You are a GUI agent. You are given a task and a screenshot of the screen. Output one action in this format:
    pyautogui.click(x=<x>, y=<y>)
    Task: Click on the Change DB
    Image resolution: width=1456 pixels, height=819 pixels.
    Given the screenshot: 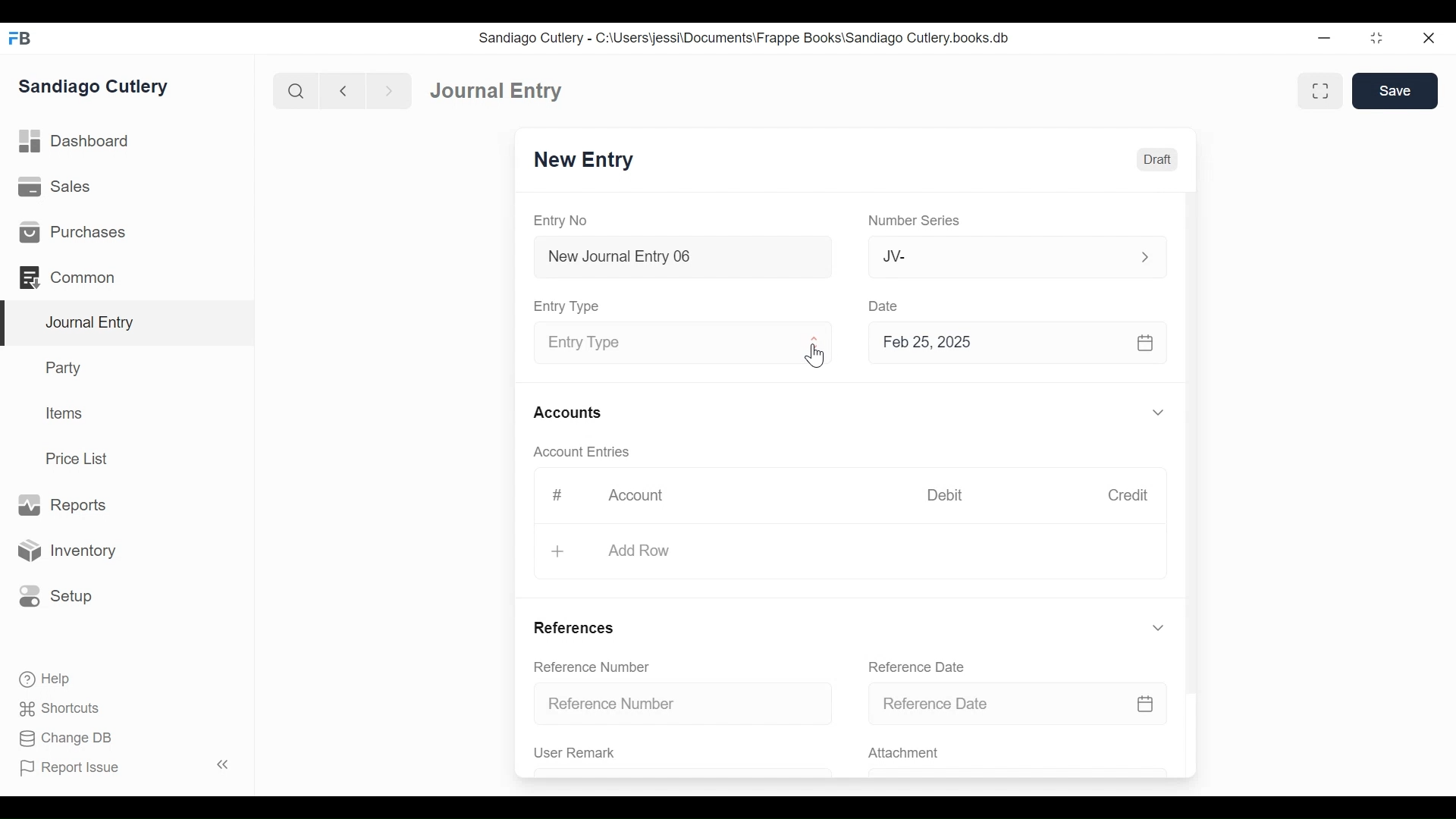 What is the action you would take?
    pyautogui.click(x=68, y=740)
    